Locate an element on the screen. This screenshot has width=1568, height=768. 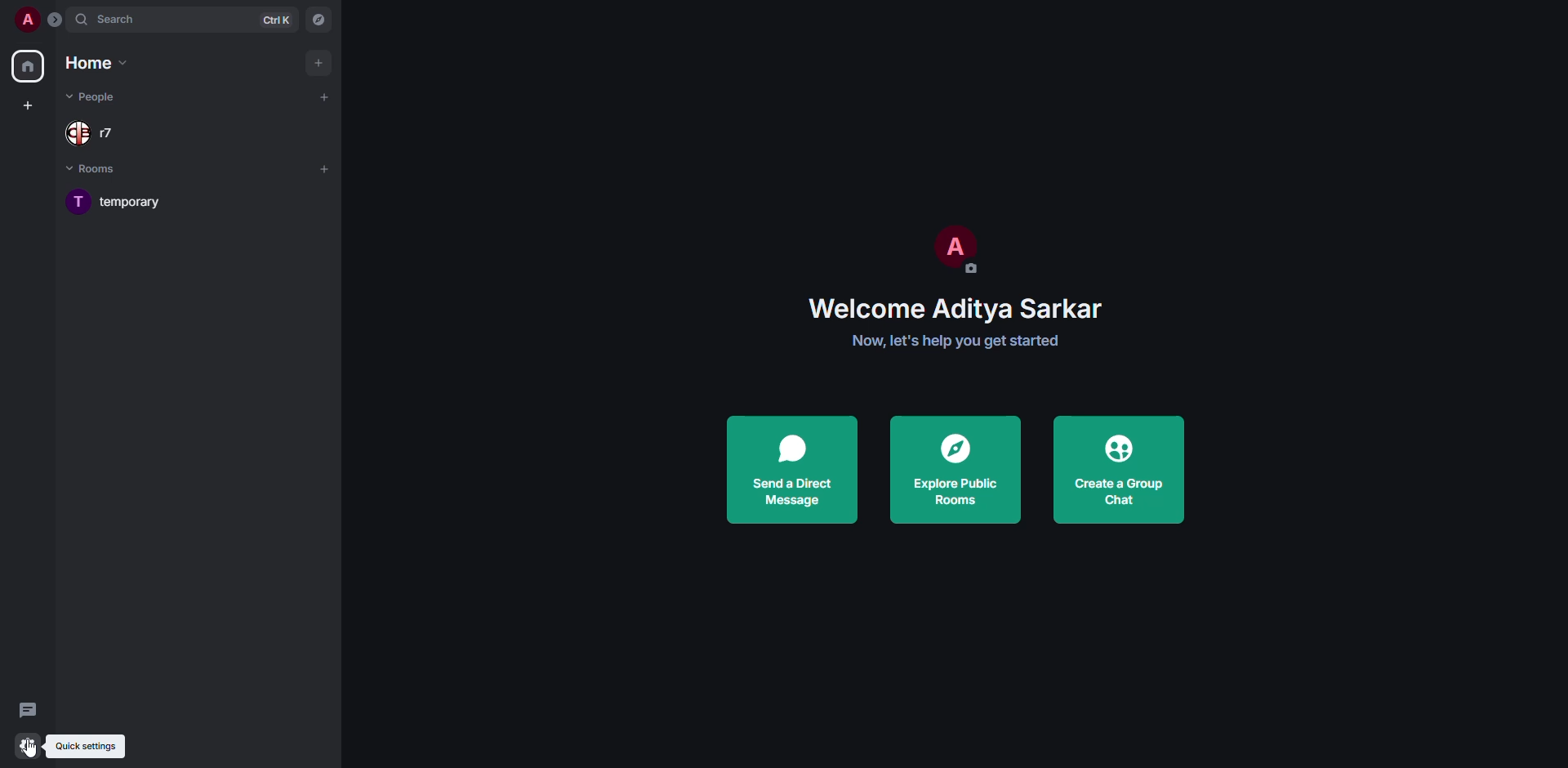
rooms is located at coordinates (101, 171).